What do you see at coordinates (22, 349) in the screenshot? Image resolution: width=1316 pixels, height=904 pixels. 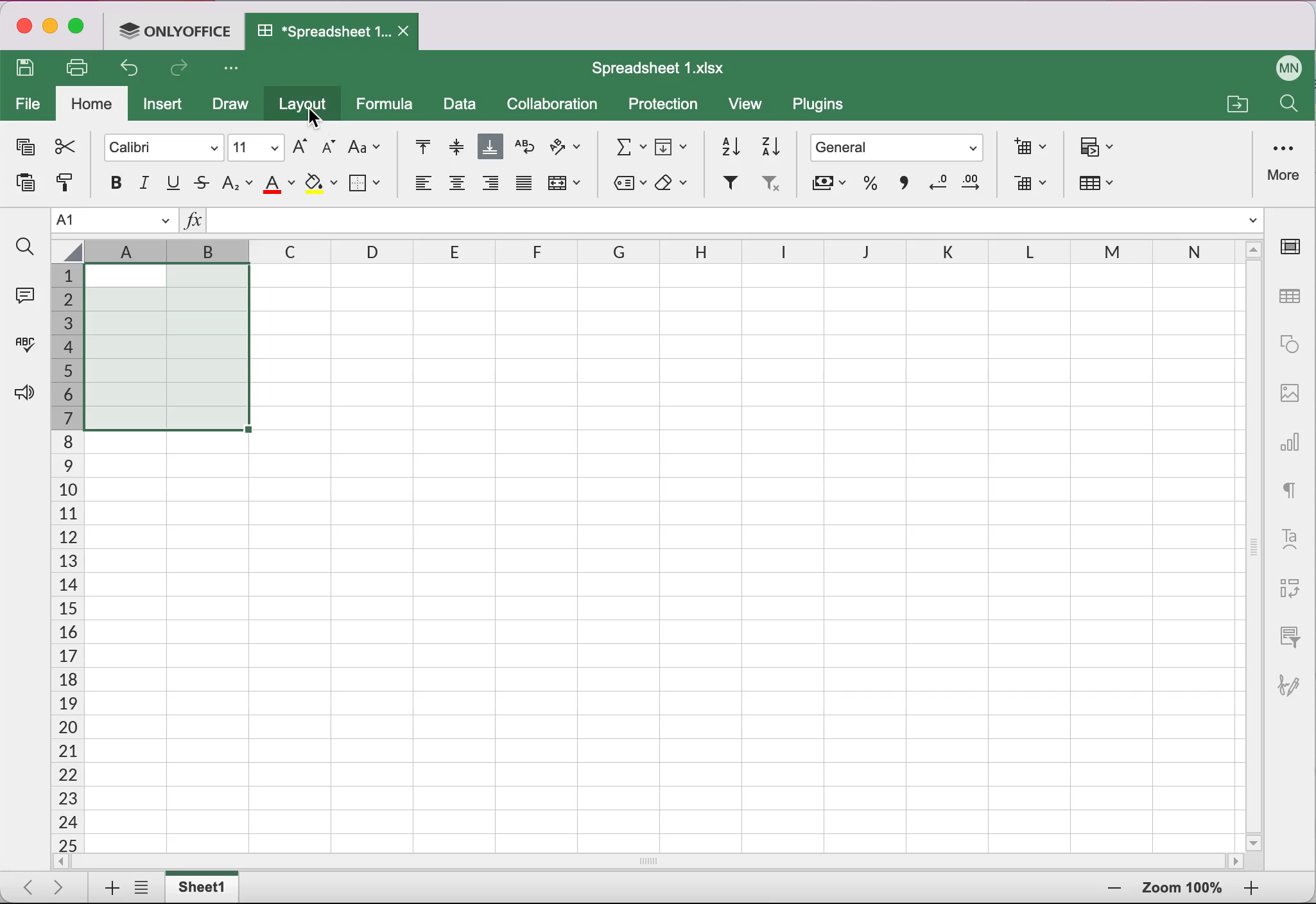 I see `spell checking` at bounding box center [22, 349].